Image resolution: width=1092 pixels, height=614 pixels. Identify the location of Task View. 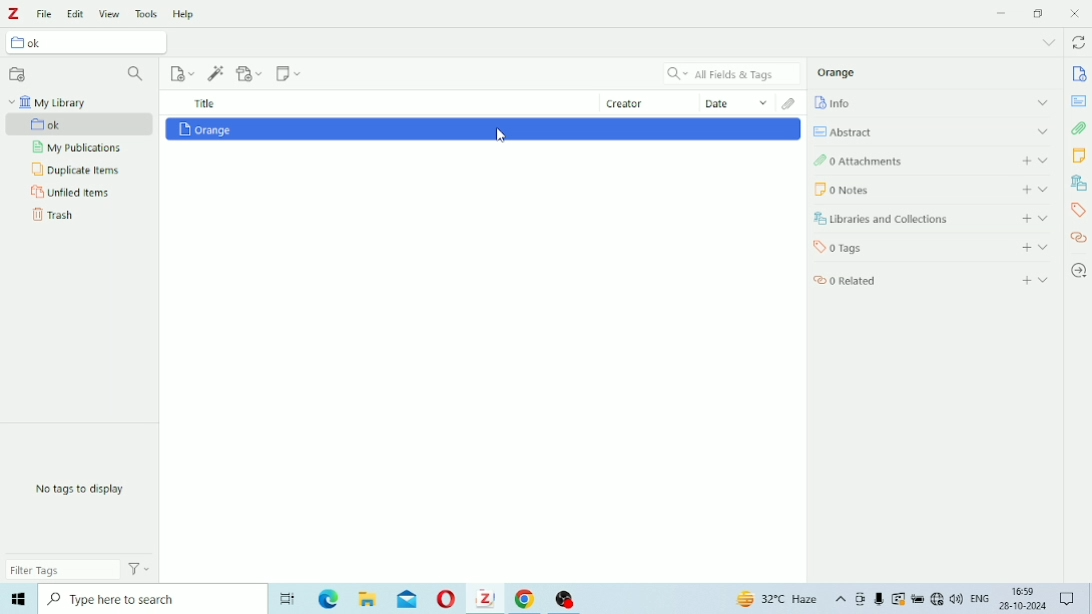
(287, 600).